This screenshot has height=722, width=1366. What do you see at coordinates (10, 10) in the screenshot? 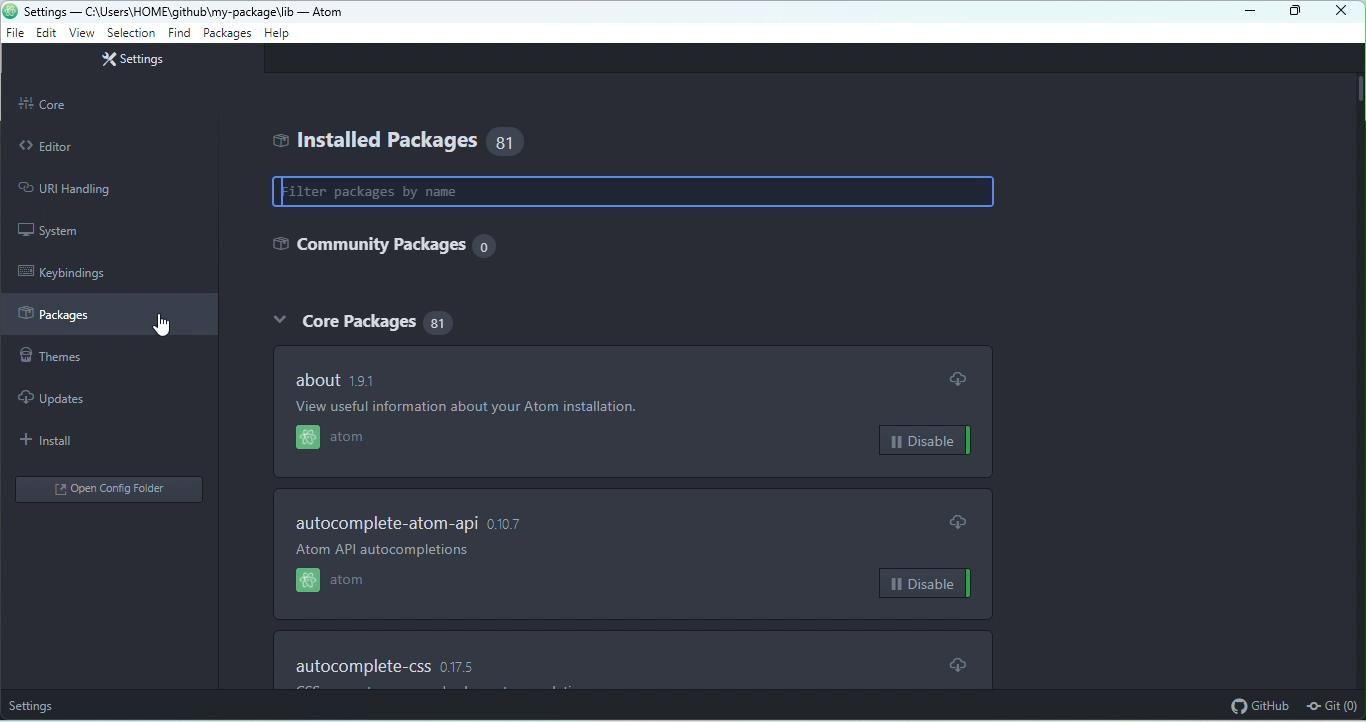
I see `atom icon` at bounding box center [10, 10].